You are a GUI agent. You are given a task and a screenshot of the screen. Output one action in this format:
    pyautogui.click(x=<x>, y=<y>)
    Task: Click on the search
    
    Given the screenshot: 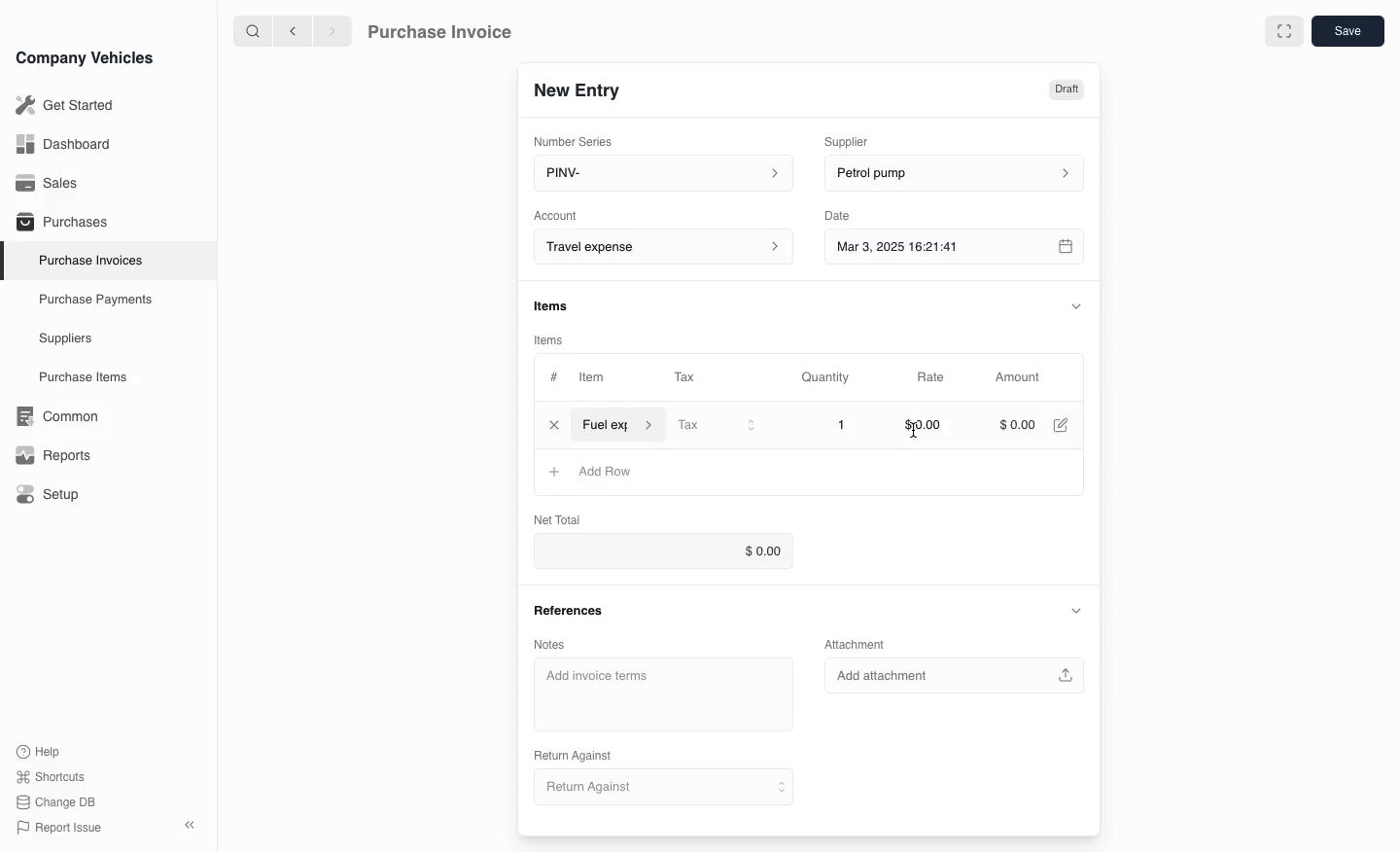 What is the action you would take?
    pyautogui.click(x=254, y=30)
    